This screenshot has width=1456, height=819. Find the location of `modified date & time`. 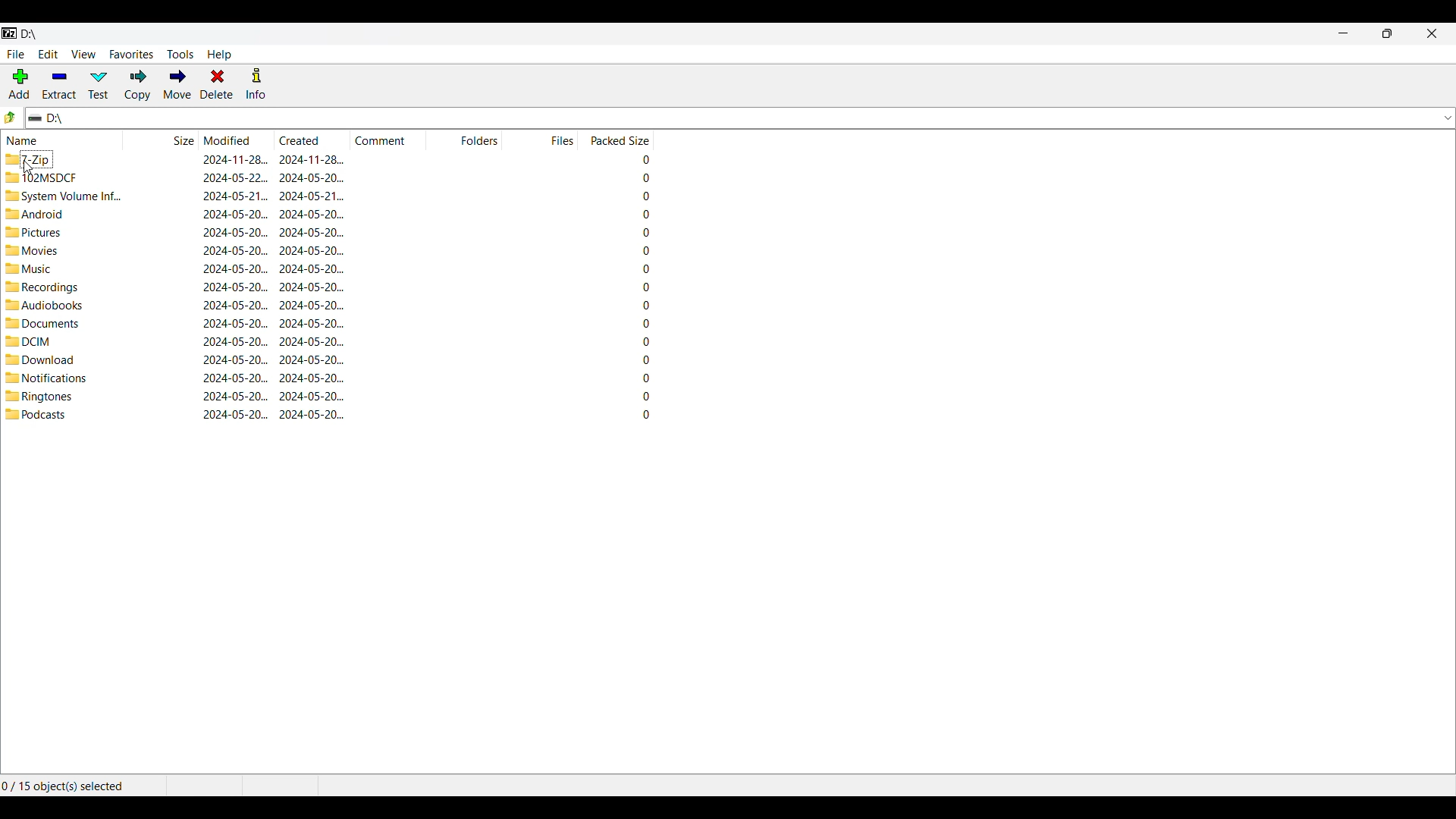

modified date & time is located at coordinates (235, 304).